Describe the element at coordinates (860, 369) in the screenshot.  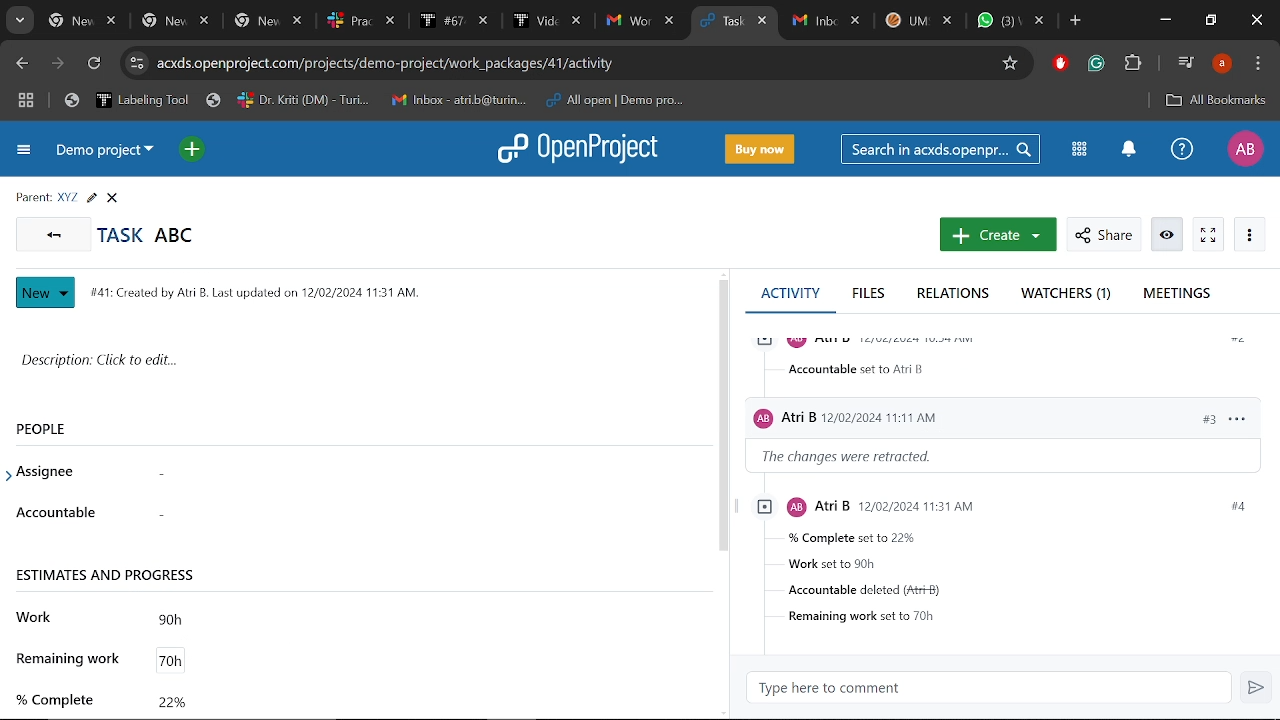
I see `accountable` at that location.